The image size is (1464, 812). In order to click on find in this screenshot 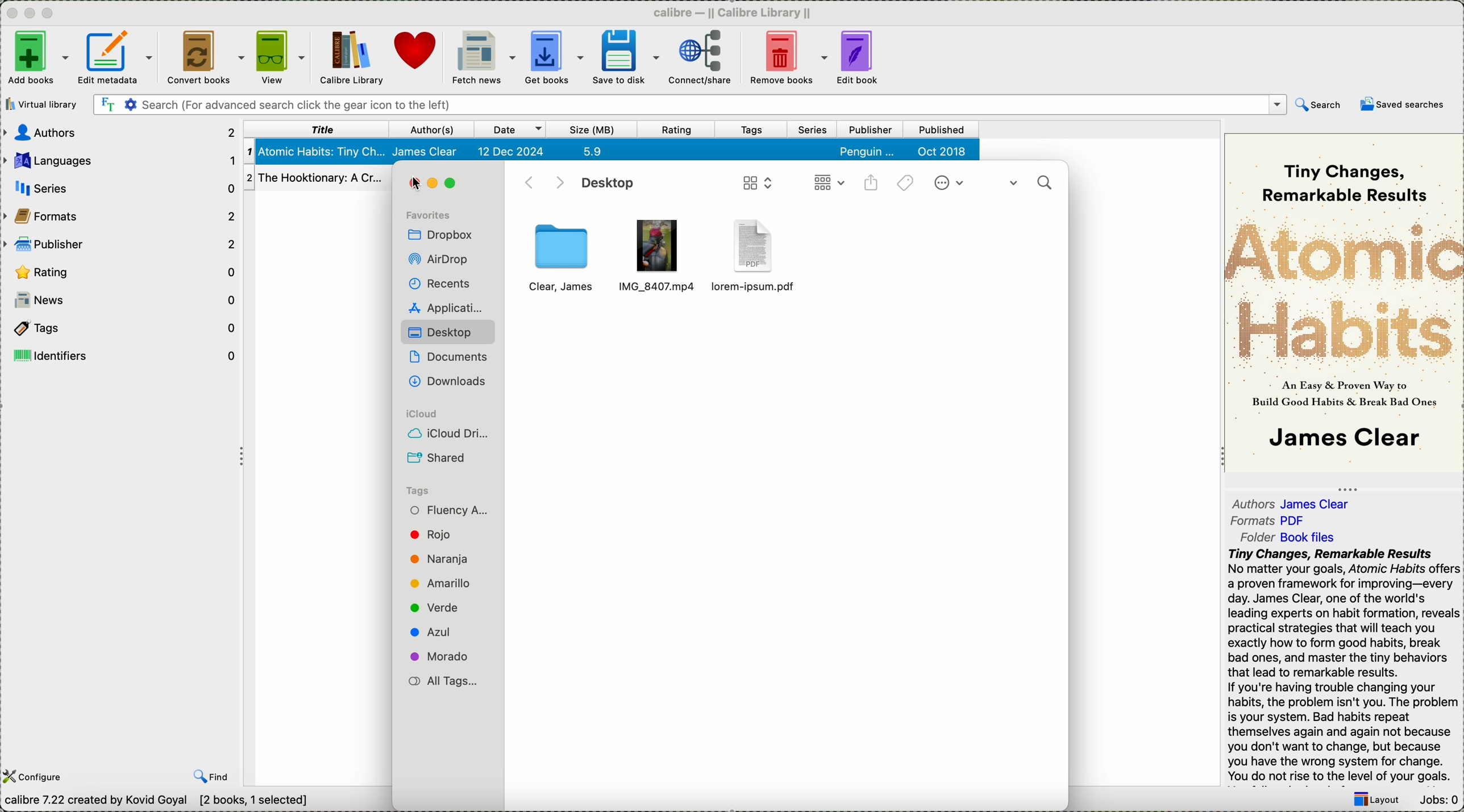, I will do `click(210, 777)`.